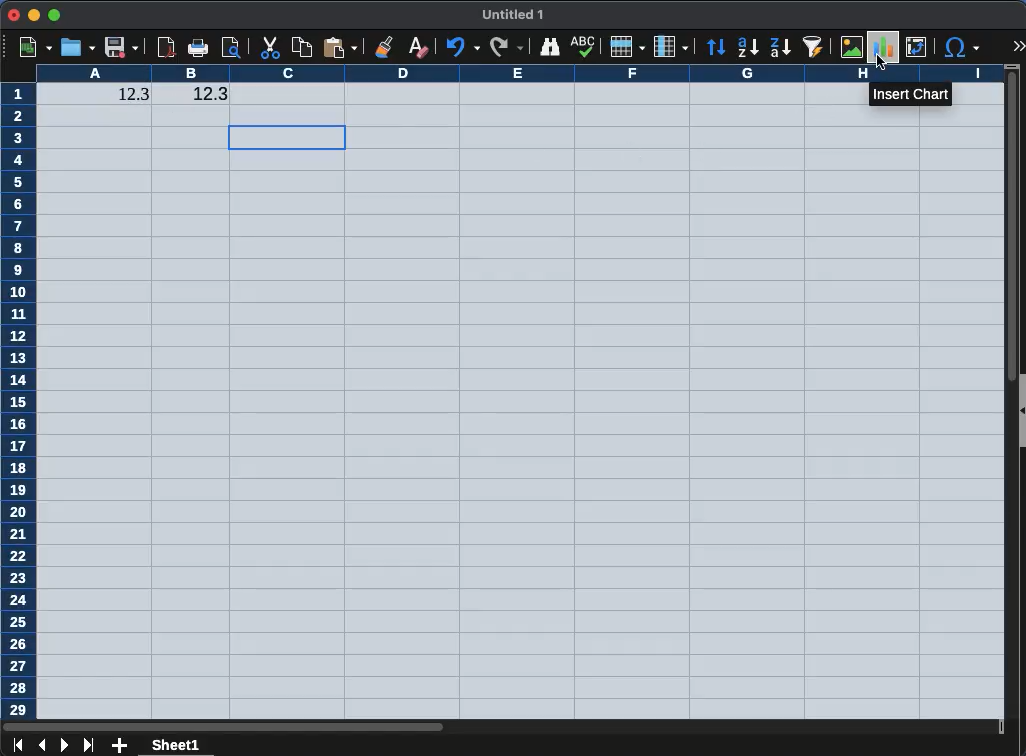 The image size is (1026, 756). What do you see at coordinates (519, 72) in the screenshot?
I see `column ` at bounding box center [519, 72].